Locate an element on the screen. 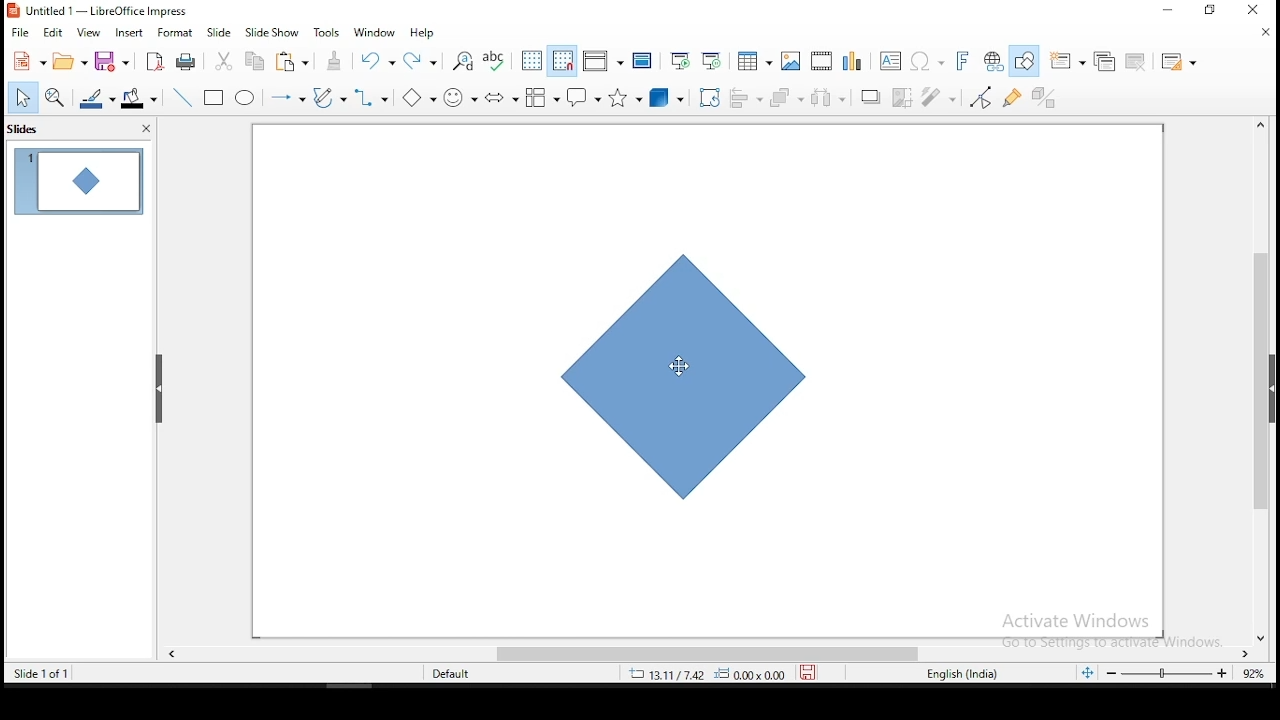 The image size is (1280, 720).  is located at coordinates (928, 62).